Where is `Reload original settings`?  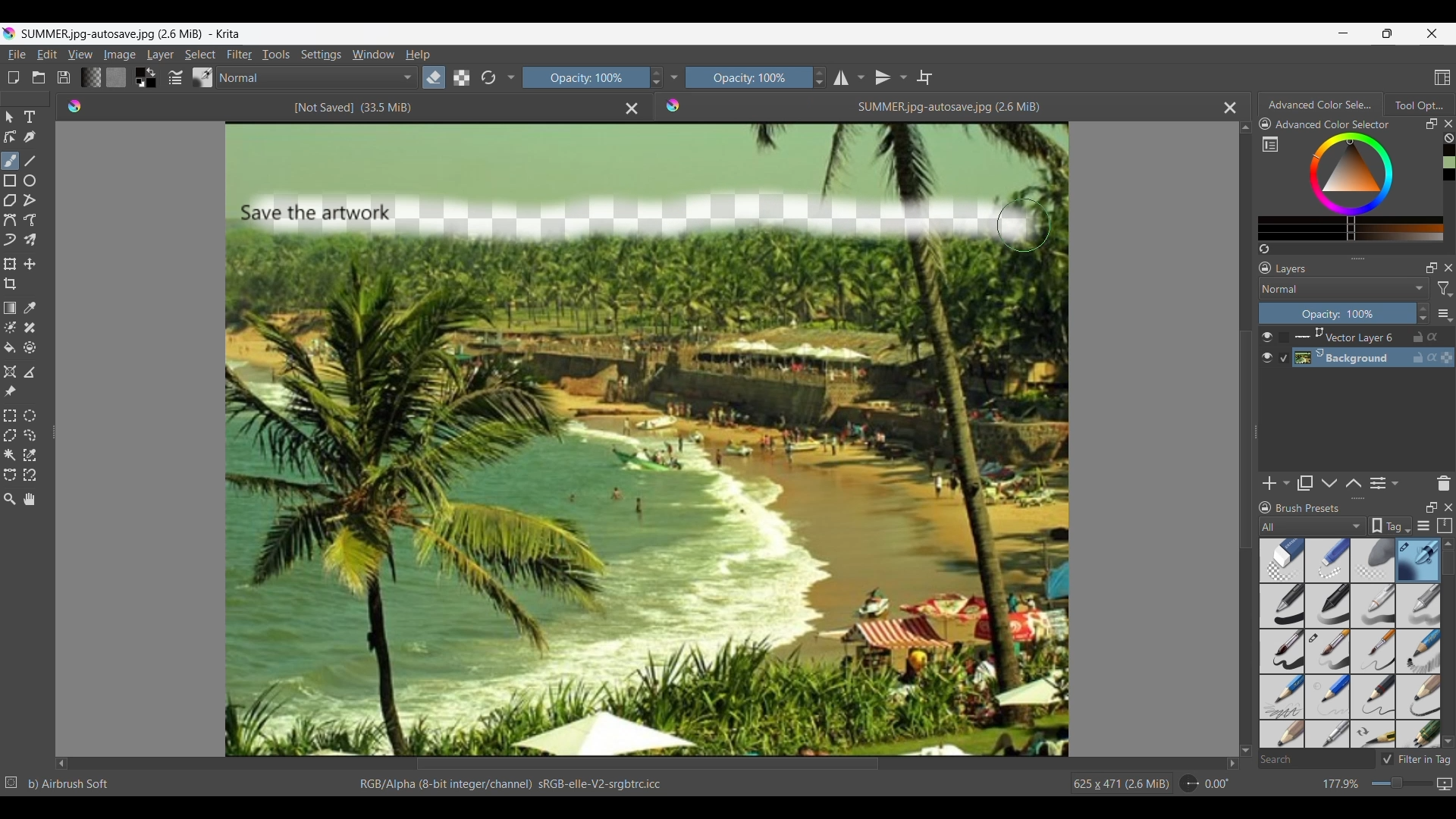
Reload original settings is located at coordinates (488, 77).